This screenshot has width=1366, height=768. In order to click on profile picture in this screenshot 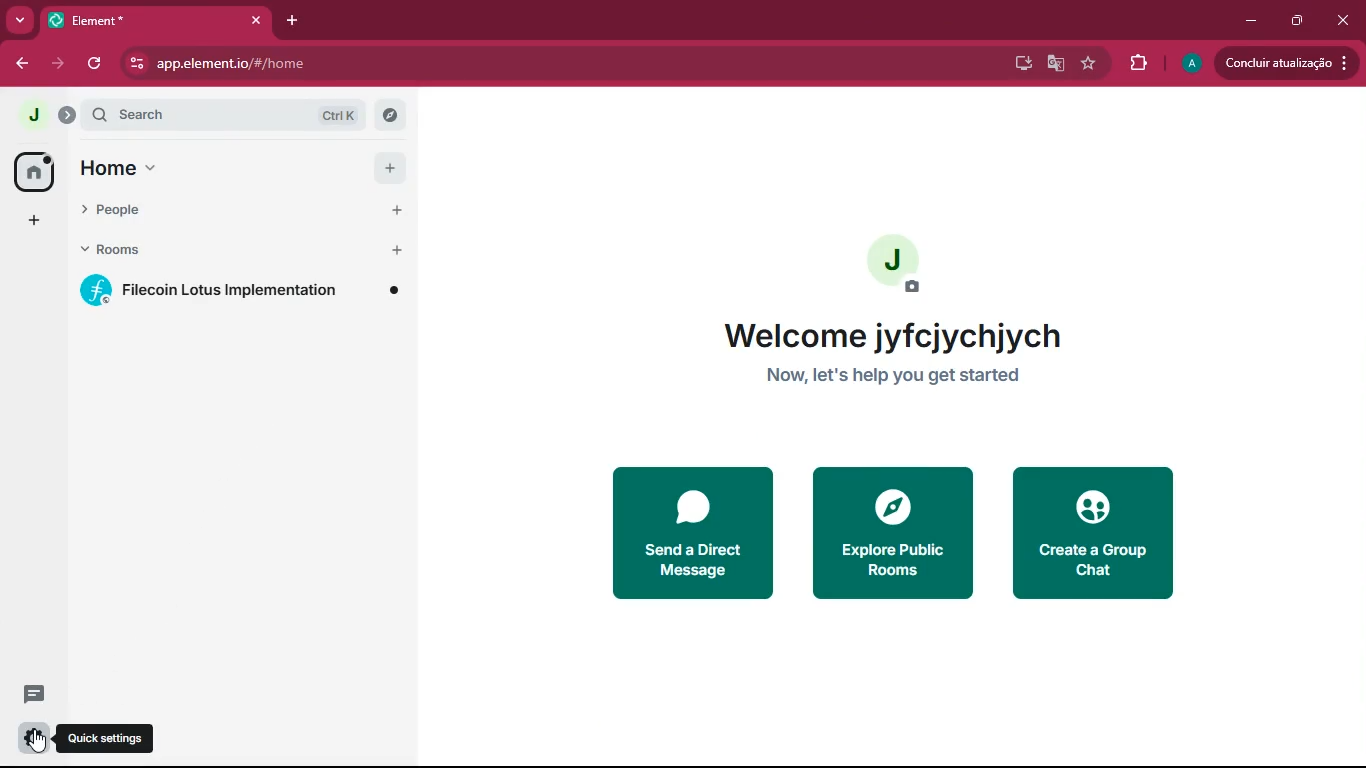, I will do `click(31, 114)`.